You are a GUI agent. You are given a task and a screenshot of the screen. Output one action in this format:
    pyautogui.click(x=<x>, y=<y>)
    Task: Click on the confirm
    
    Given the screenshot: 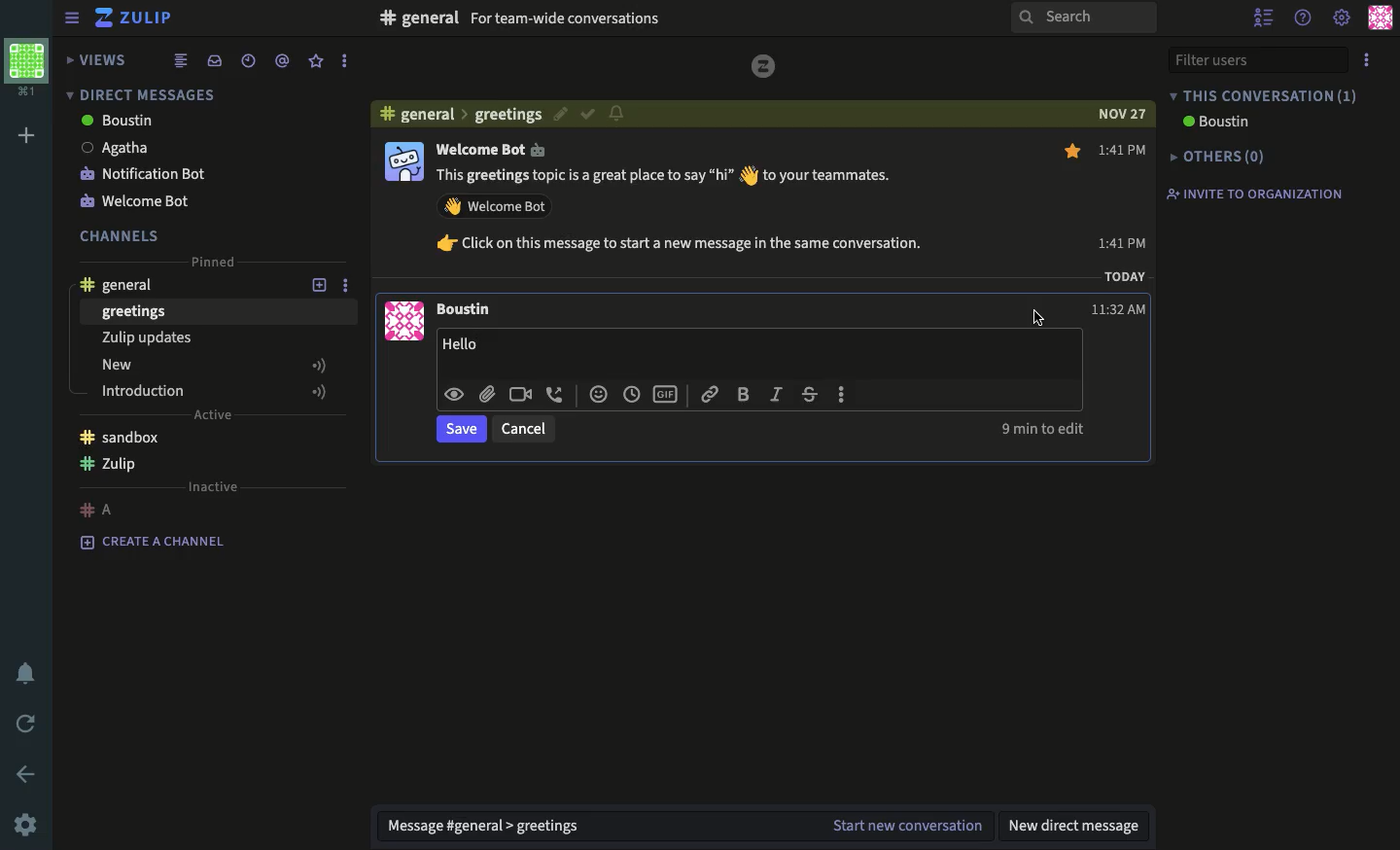 What is the action you would take?
    pyautogui.click(x=587, y=116)
    